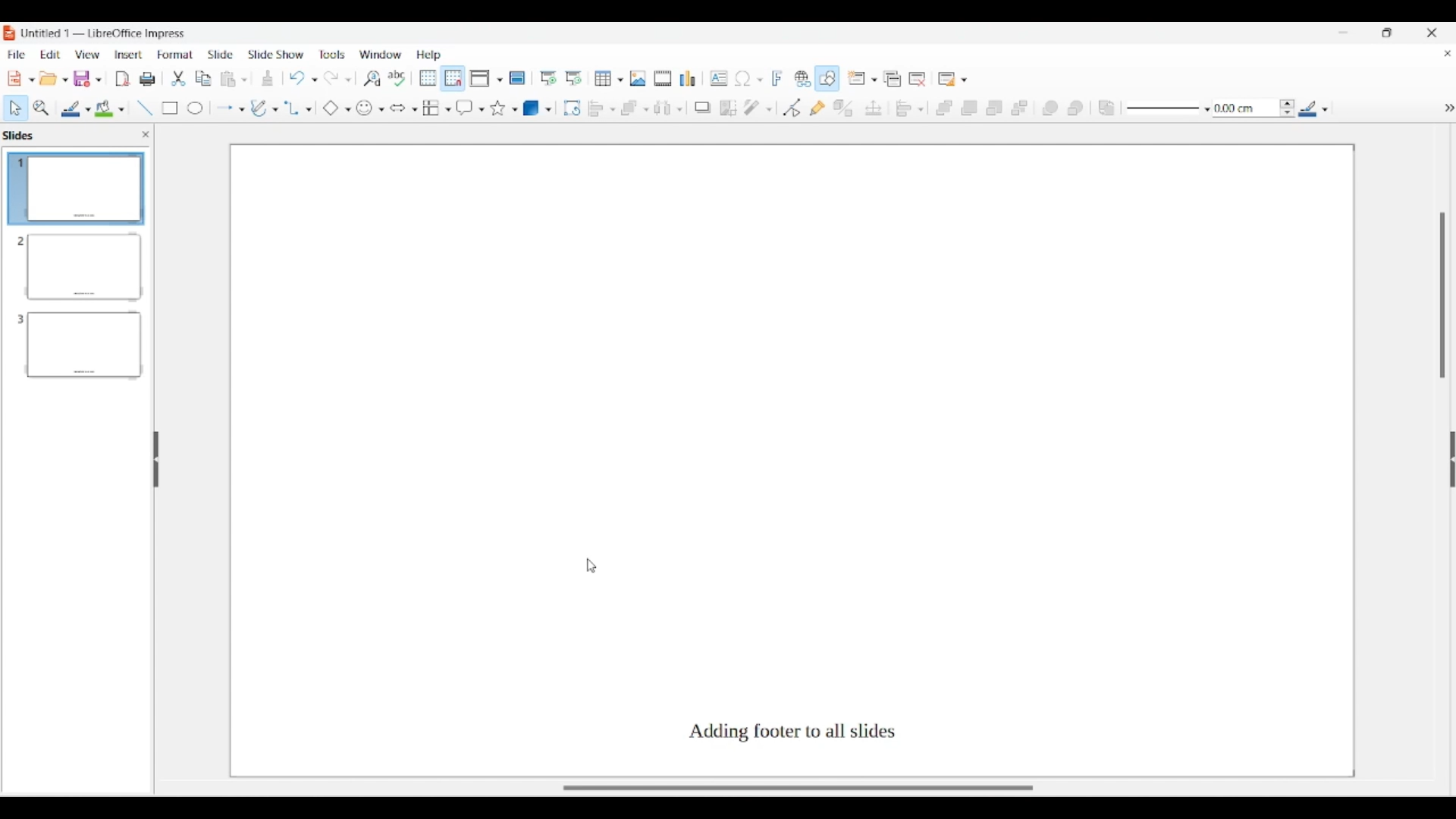  What do you see at coordinates (504, 108) in the screenshot?
I see `Star and banner options` at bounding box center [504, 108].